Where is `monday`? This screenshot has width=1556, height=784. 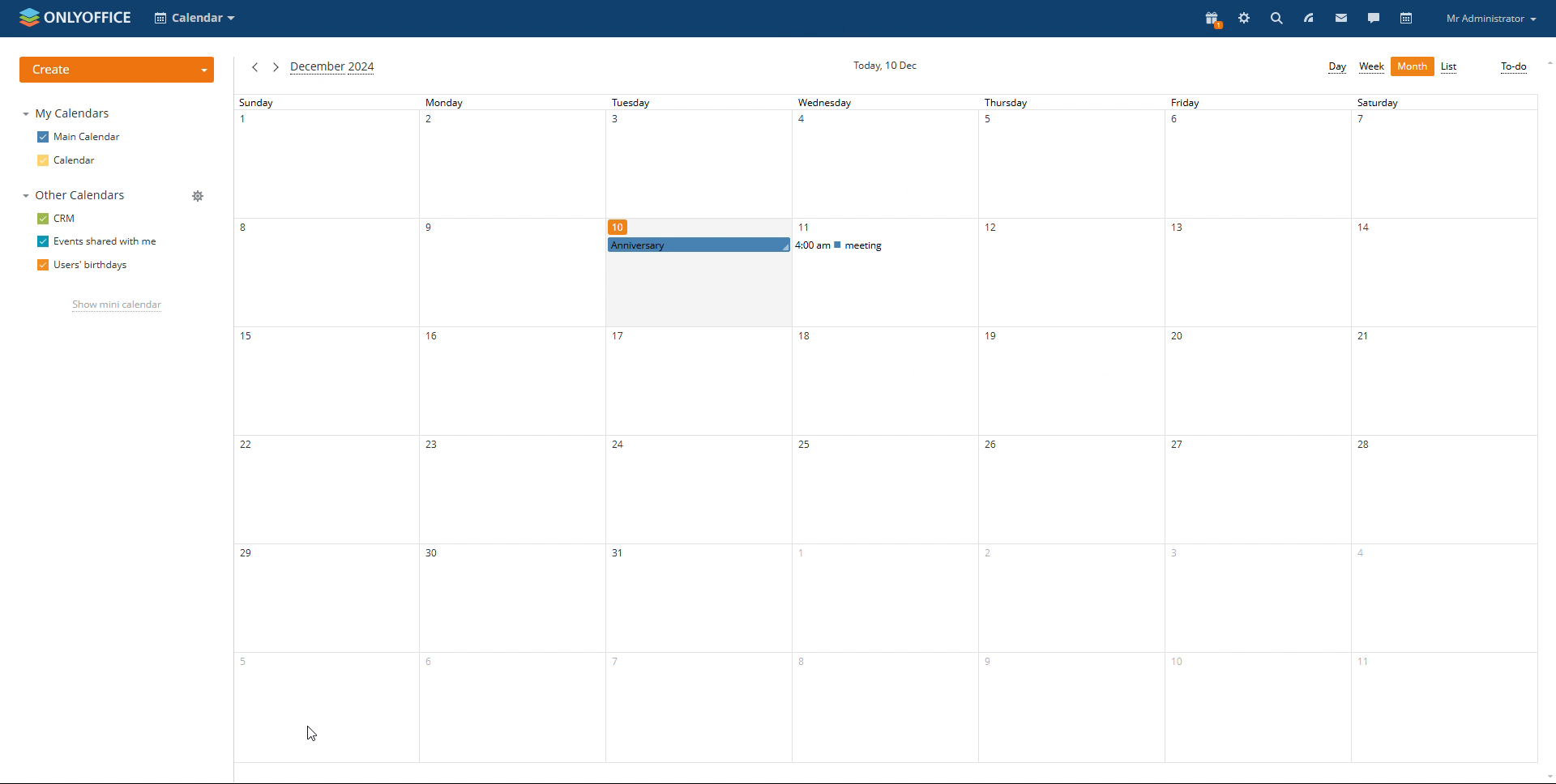
monday is located at coordinates (511, 437).